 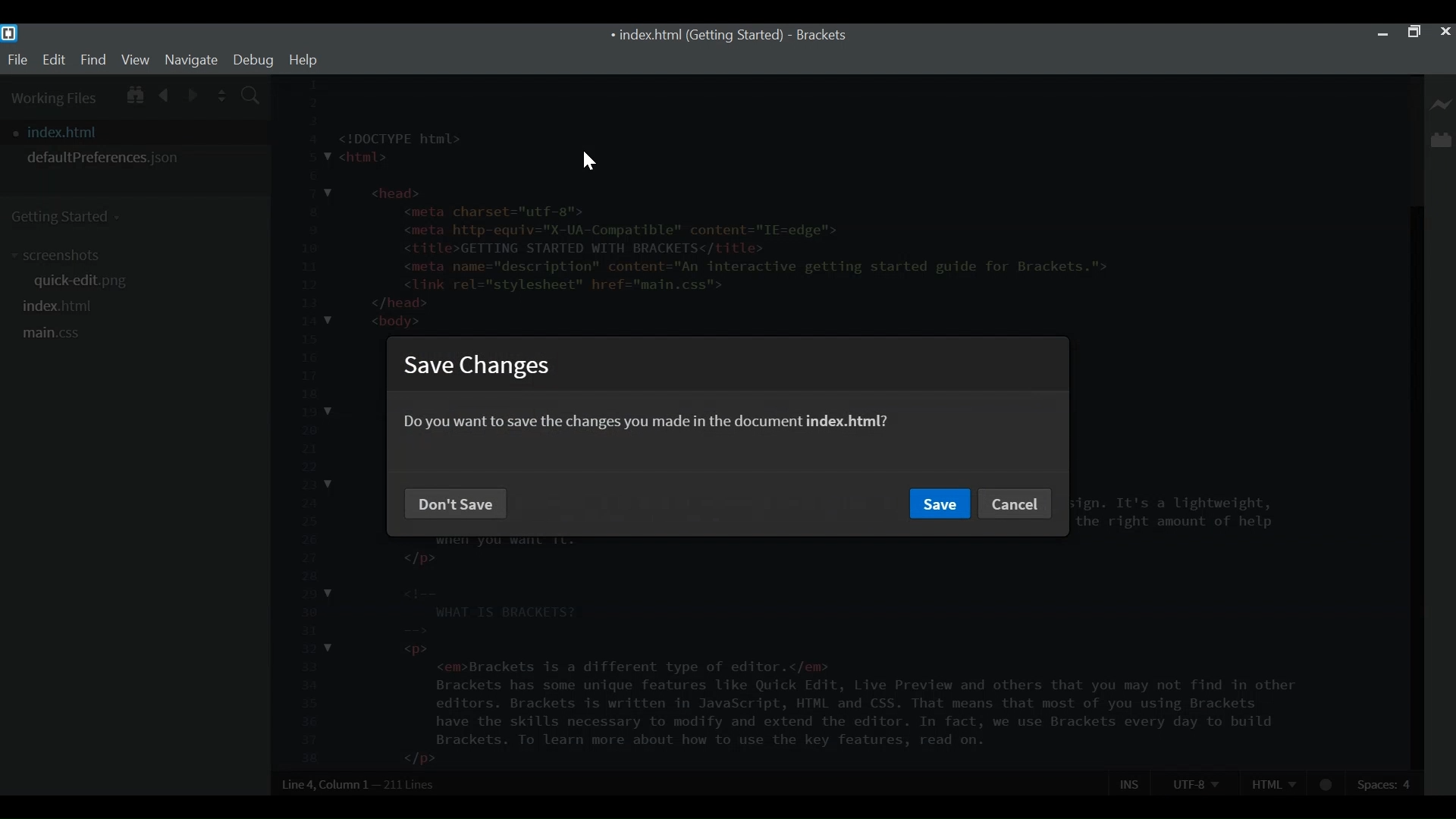 What do you see at coordinates (136, 59) in the screenshot?
I see `View` at bounding box center [136, 59].